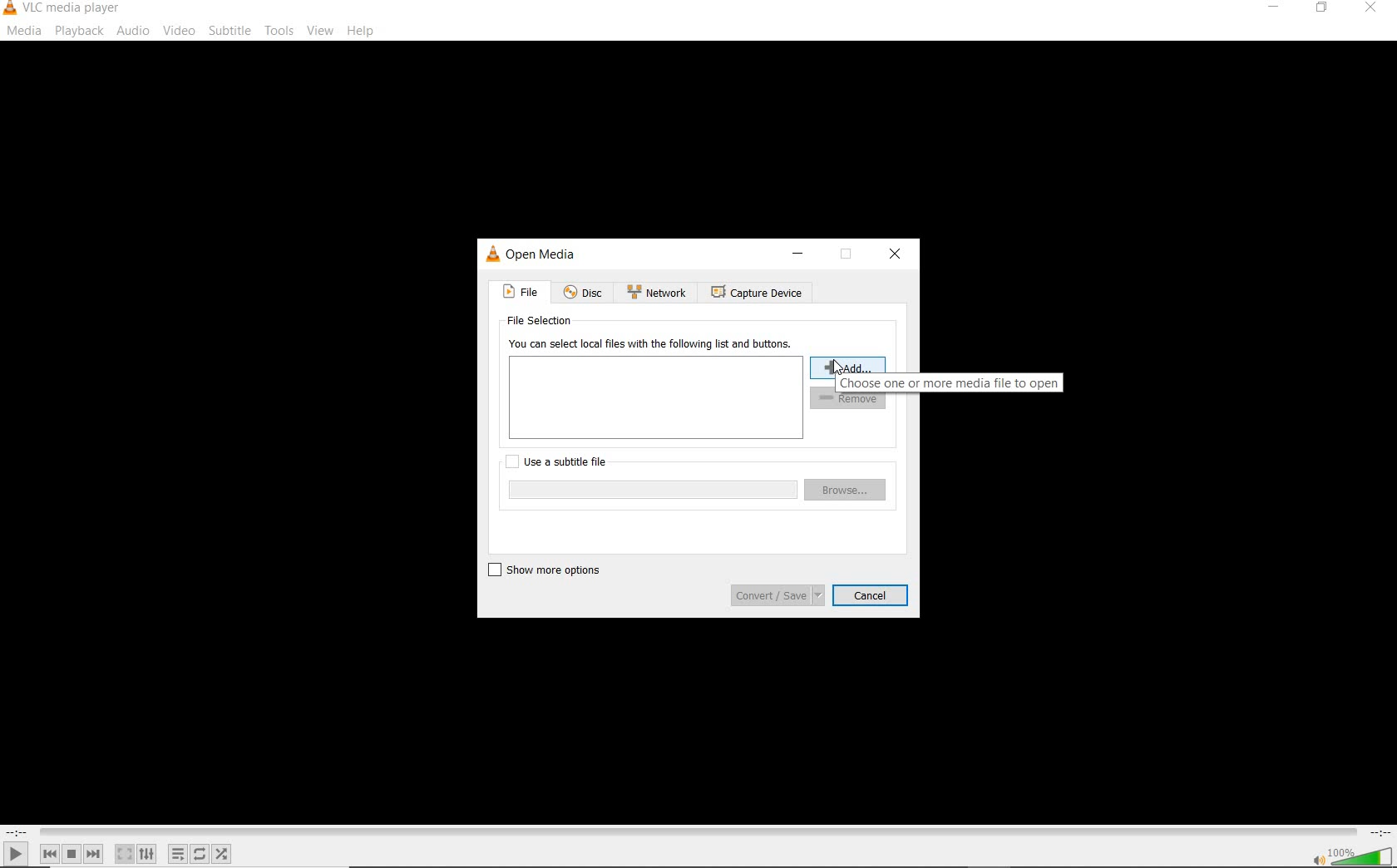 The width and height of the screenshot is (1397, 868). Describe the element at coordinates (652, 388) in the screenshot. I see `you can select local files with the following list and buttons.` at that location.